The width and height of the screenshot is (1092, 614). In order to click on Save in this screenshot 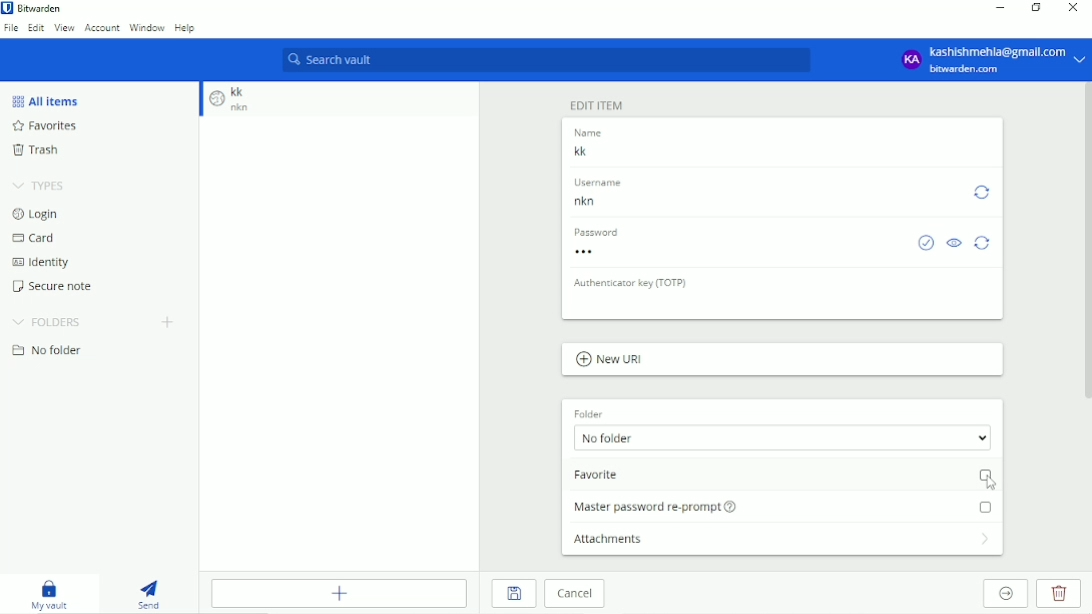, I will do `click(515, 594)`.